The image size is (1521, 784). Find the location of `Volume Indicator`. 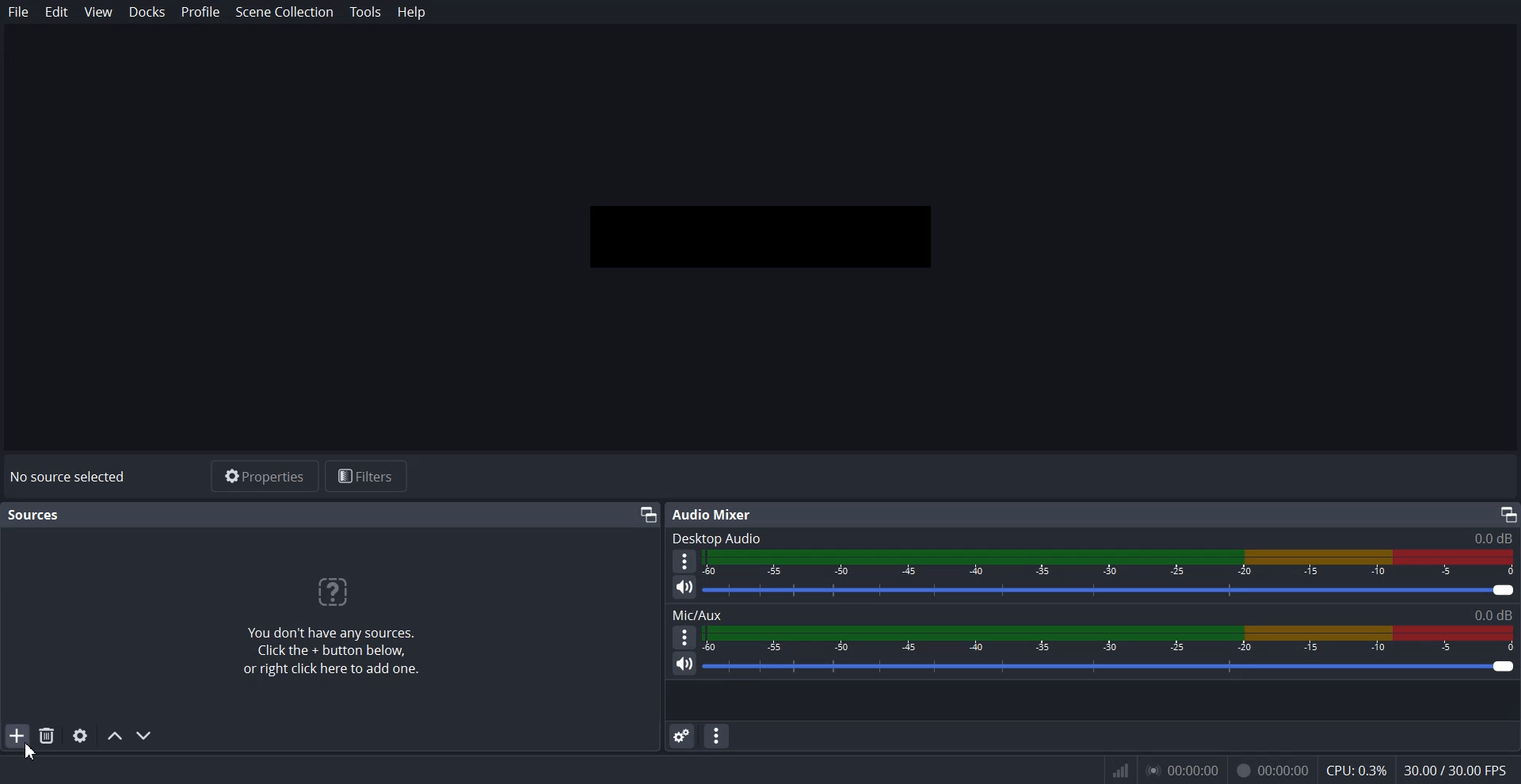

Volume Indicator is located at coordinates (1111, 639).